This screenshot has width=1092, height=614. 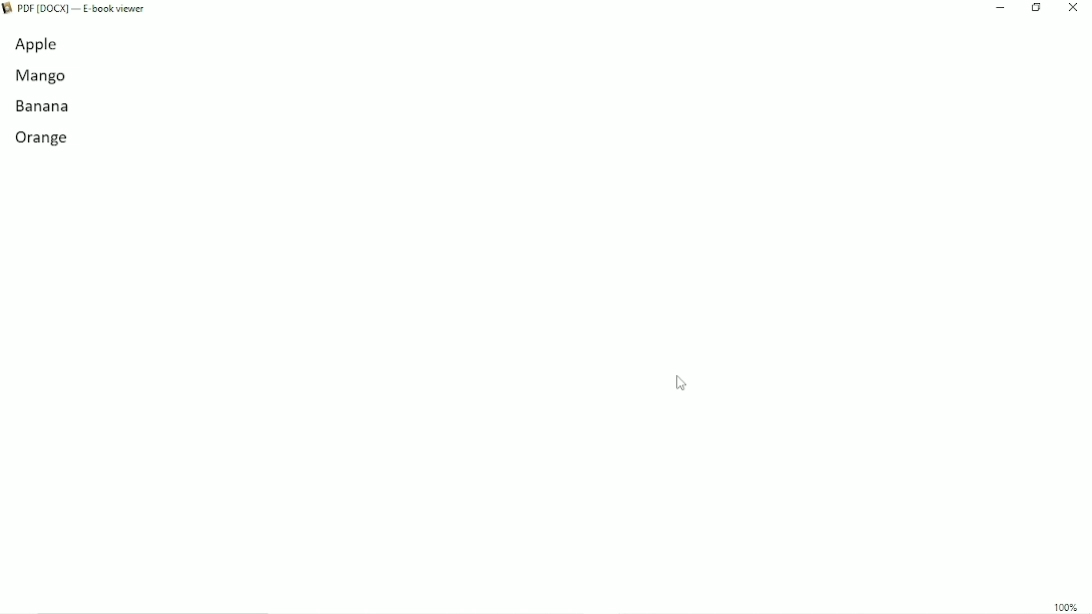 I want to click on mango, so click(x=41, y=77).